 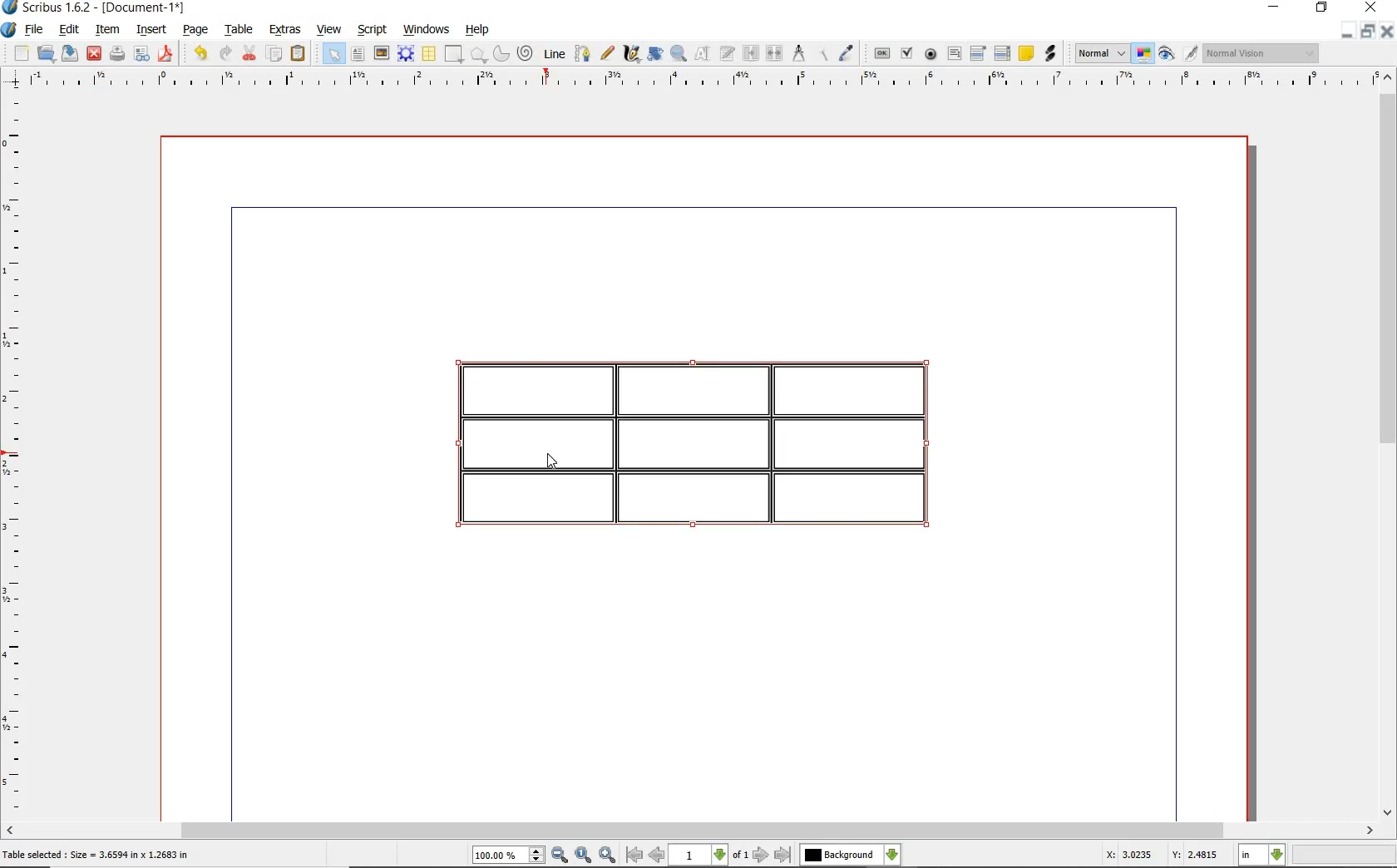 What do you see at coordinates (274, 56) in the screenshot?
I see `copy` at bounding box center [274, 56].